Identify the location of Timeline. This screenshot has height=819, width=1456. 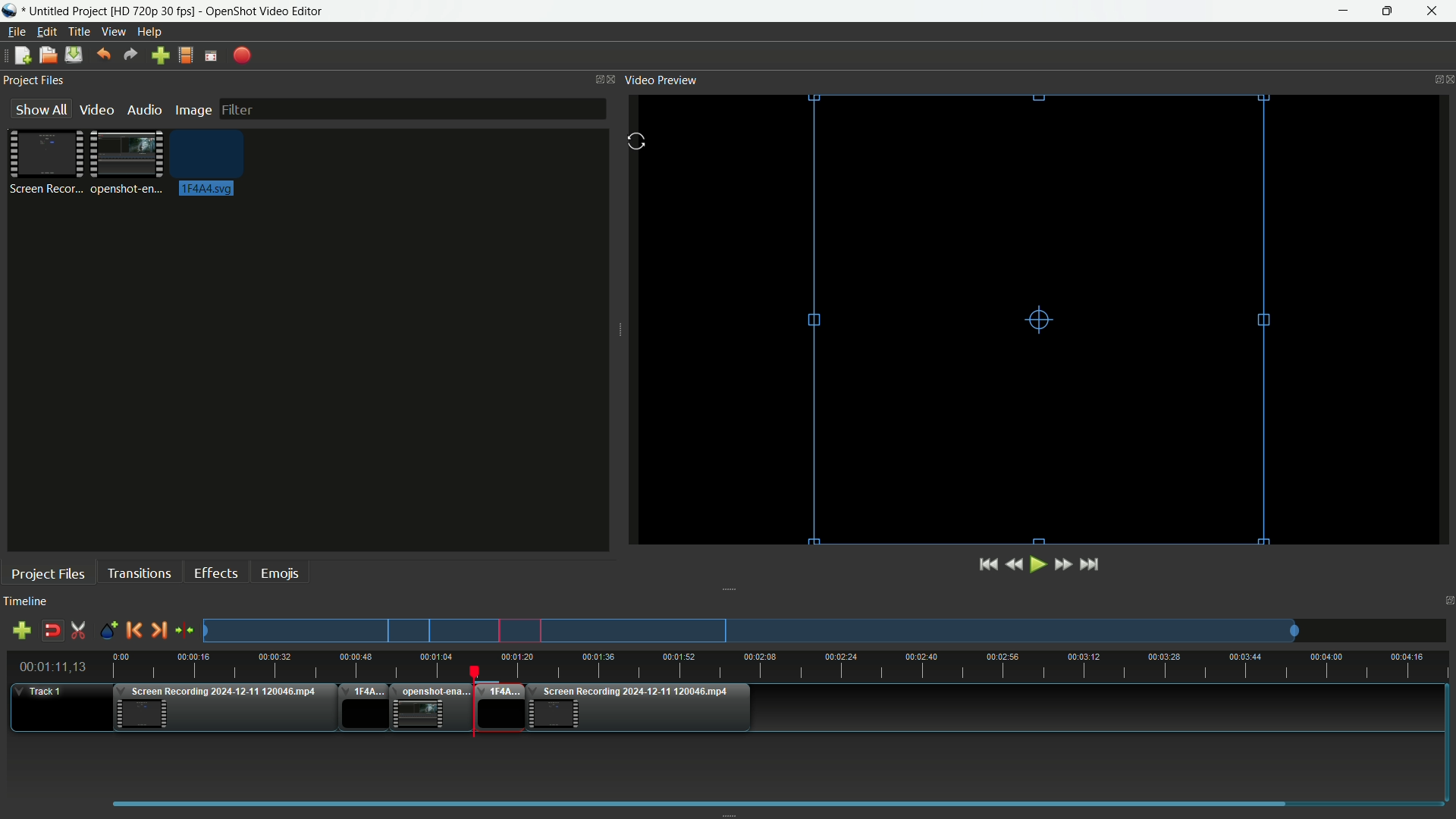
(25, 602).